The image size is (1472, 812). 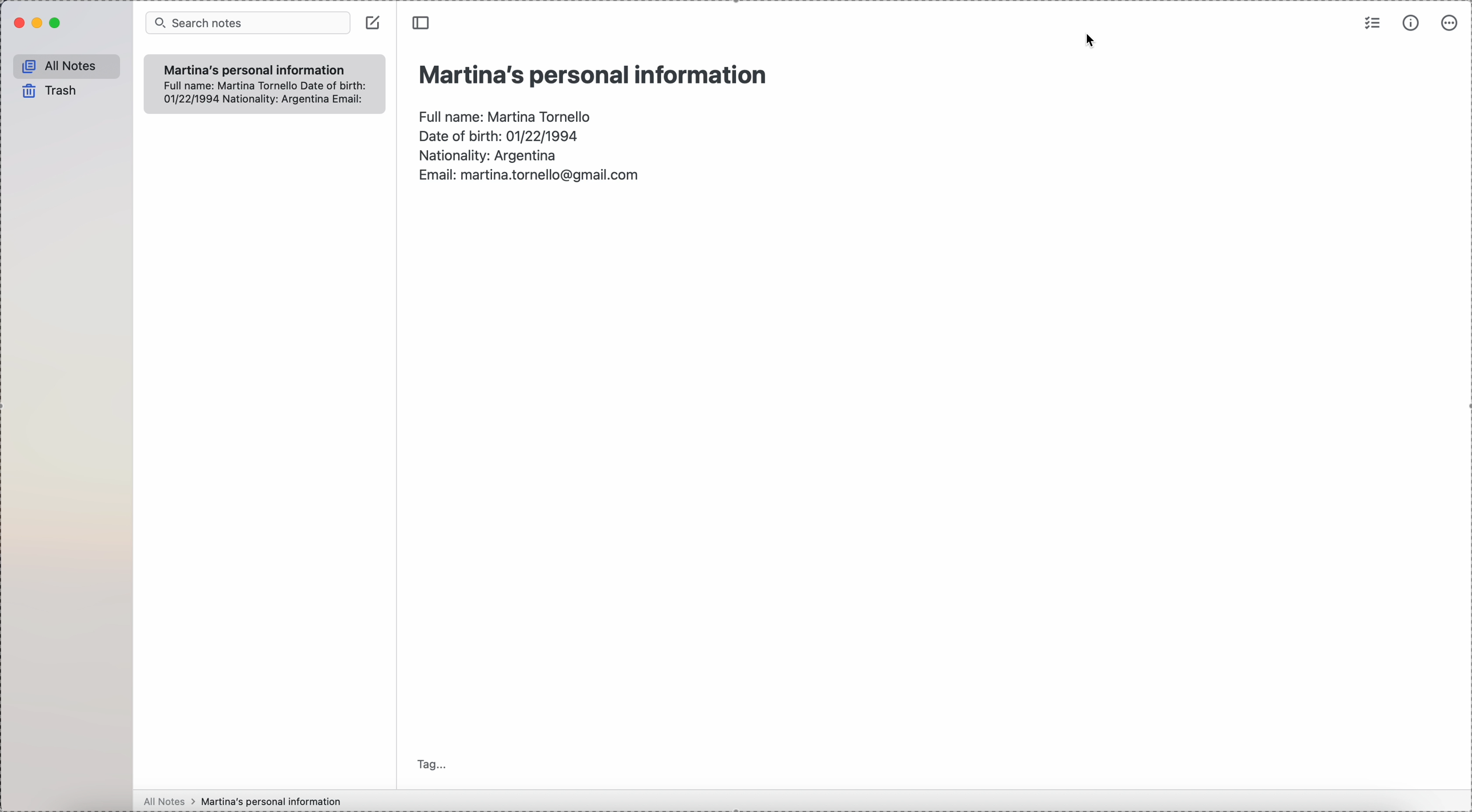 What do you see at coordinates (263, 82) in the screenshot?
I see `Martina's personal information Full name: Martina Tornello date of birth: 01/22/1994 Nationality: Argentina Email:` at bounding box center [263, 82].